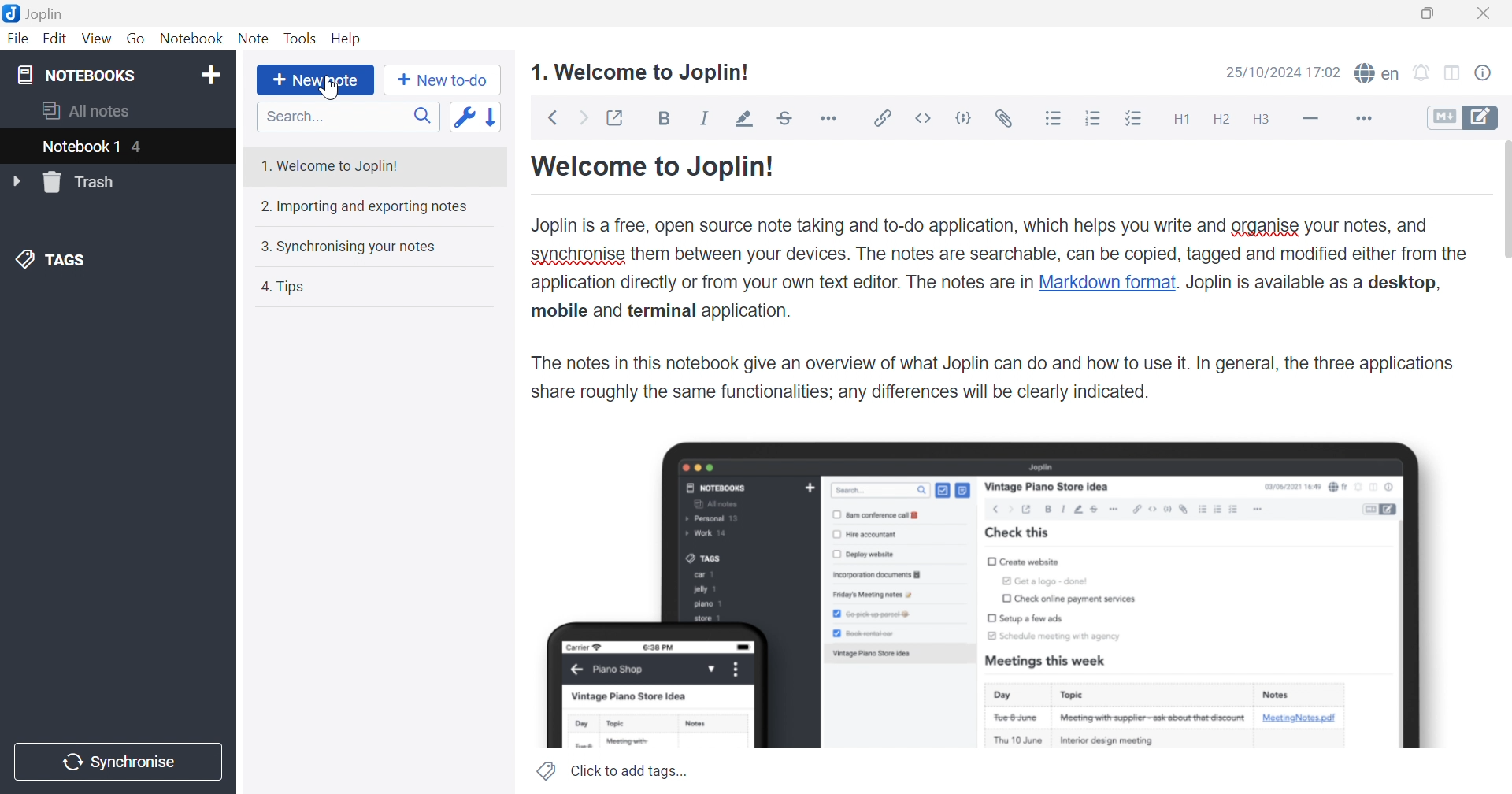  I want to click on Horizontal, so click(832, 118).